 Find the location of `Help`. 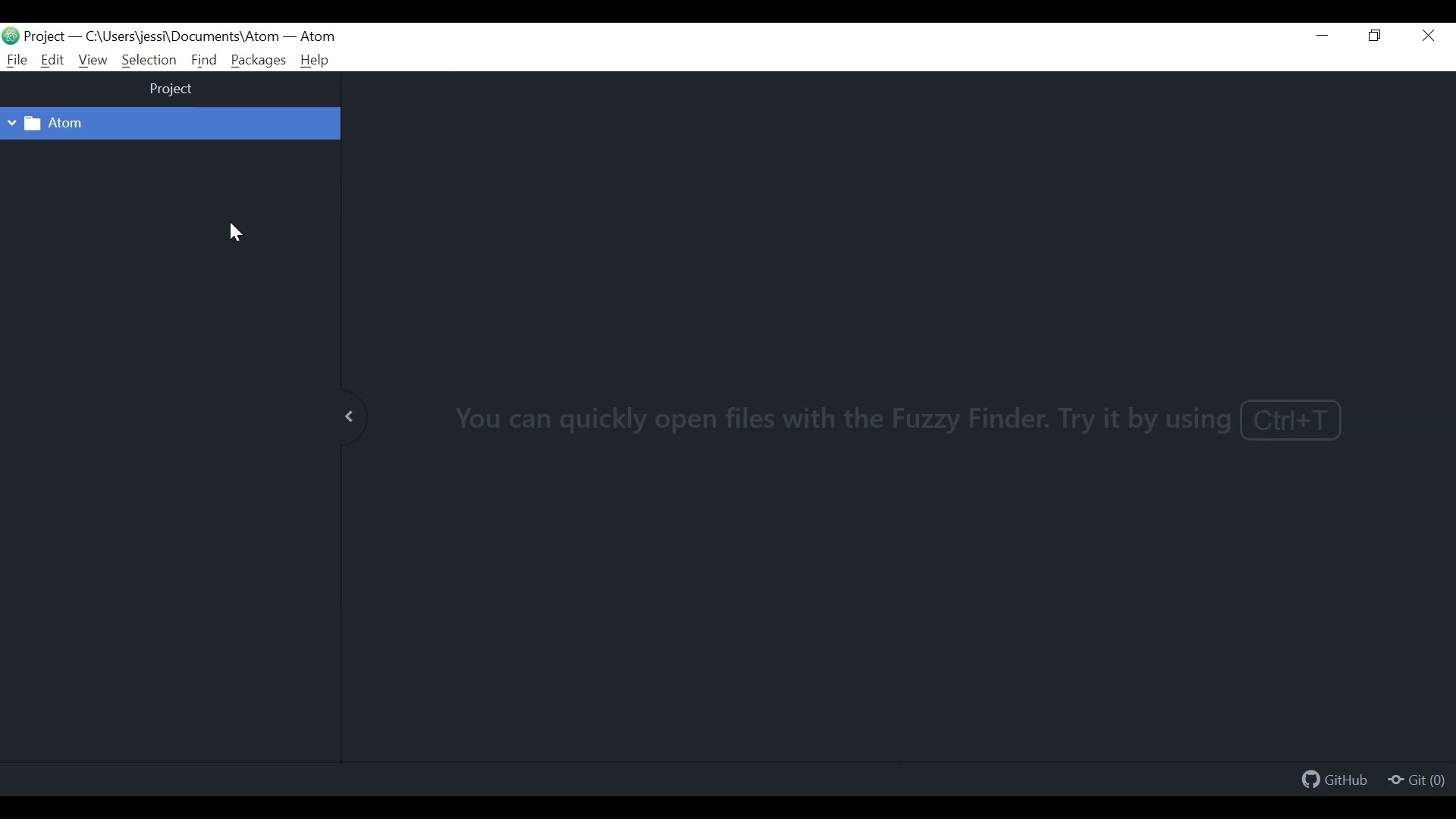

Help is located at coordinates (315, 61).